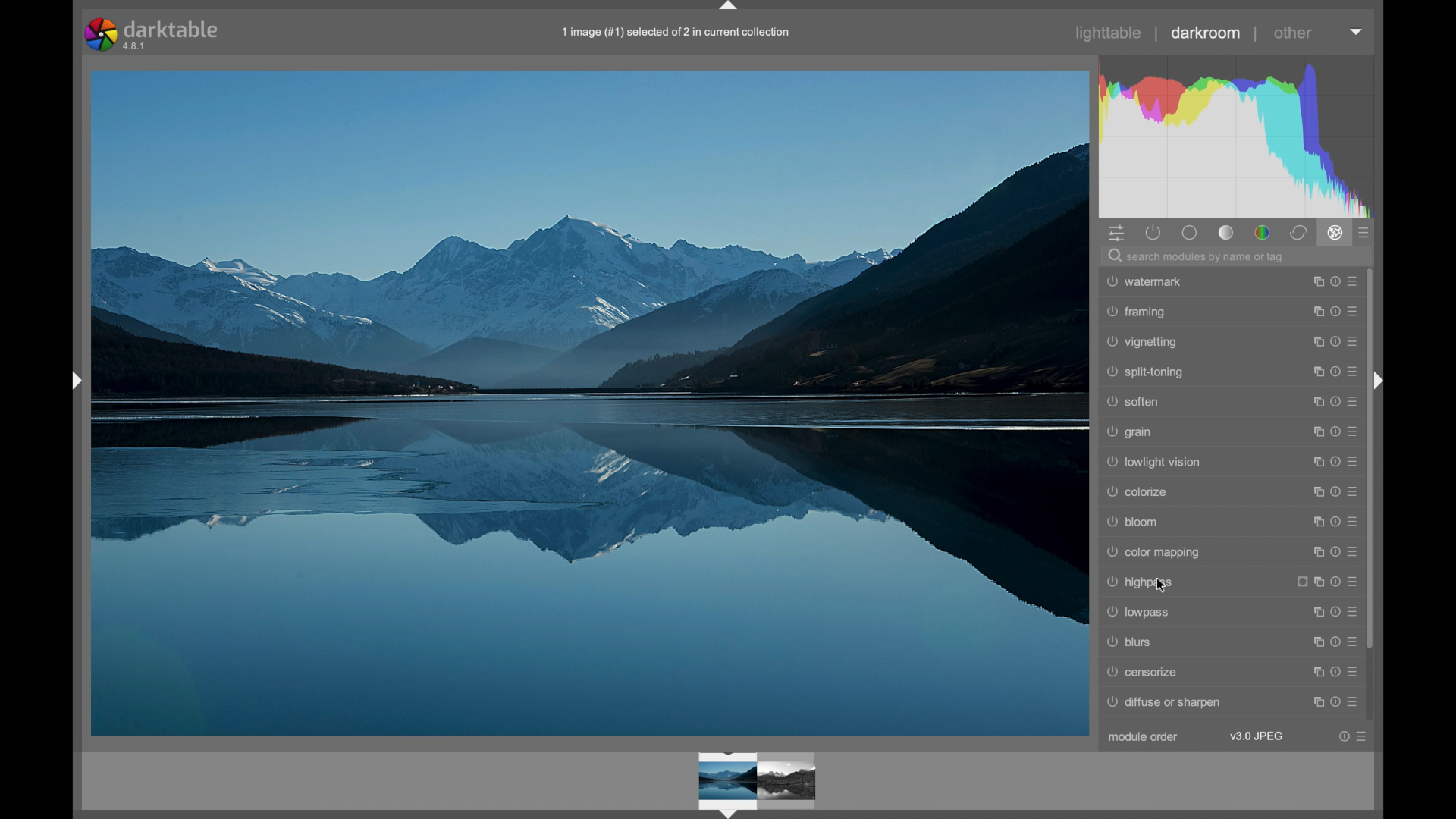  I want to click on diffuse or sharpen, so click(1166, 703).